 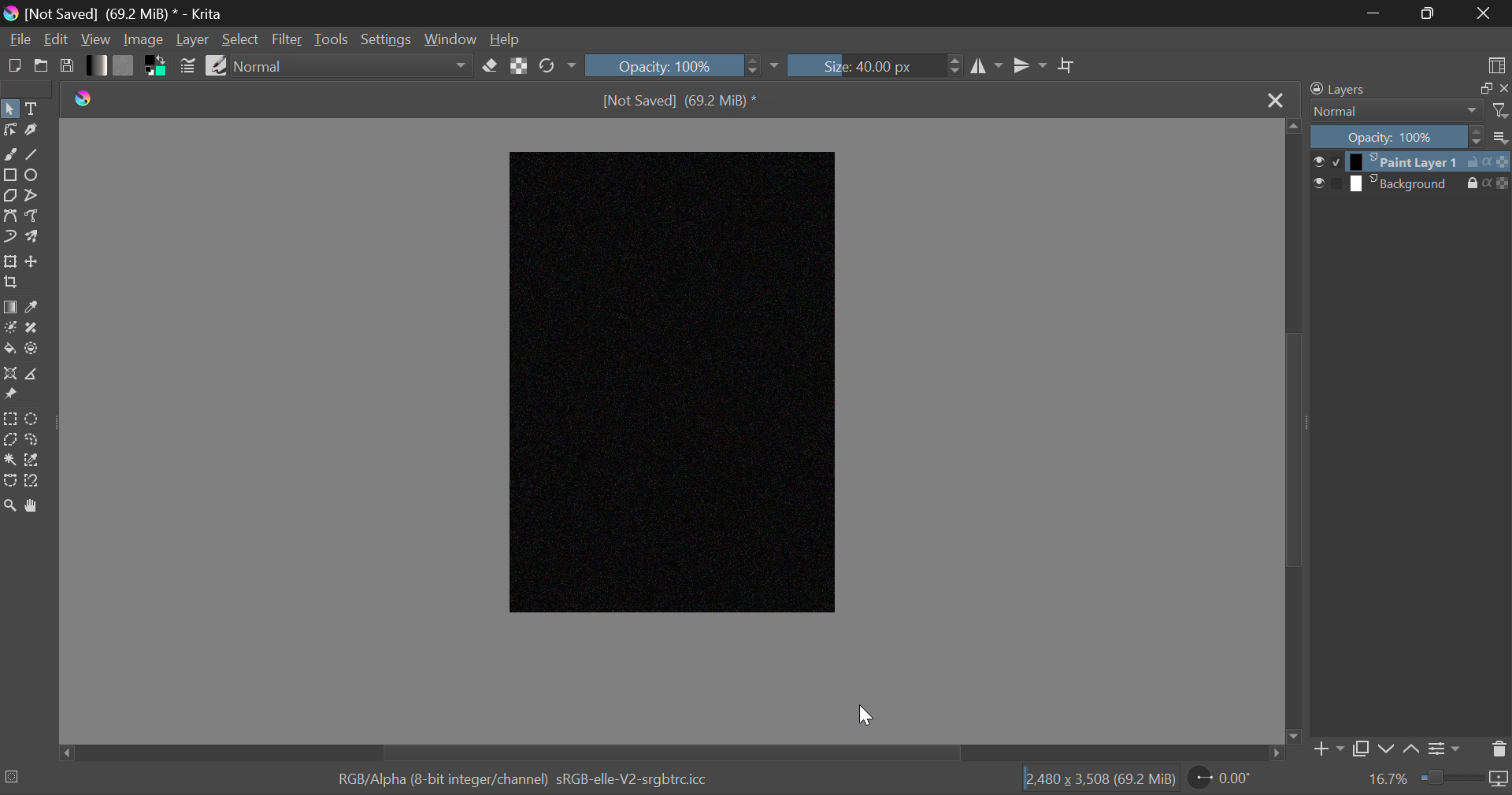 What do you see at coordinates (1410, 747) in the screenshot?
I see `Move Layer Up` at bounding box center [1410, 747].